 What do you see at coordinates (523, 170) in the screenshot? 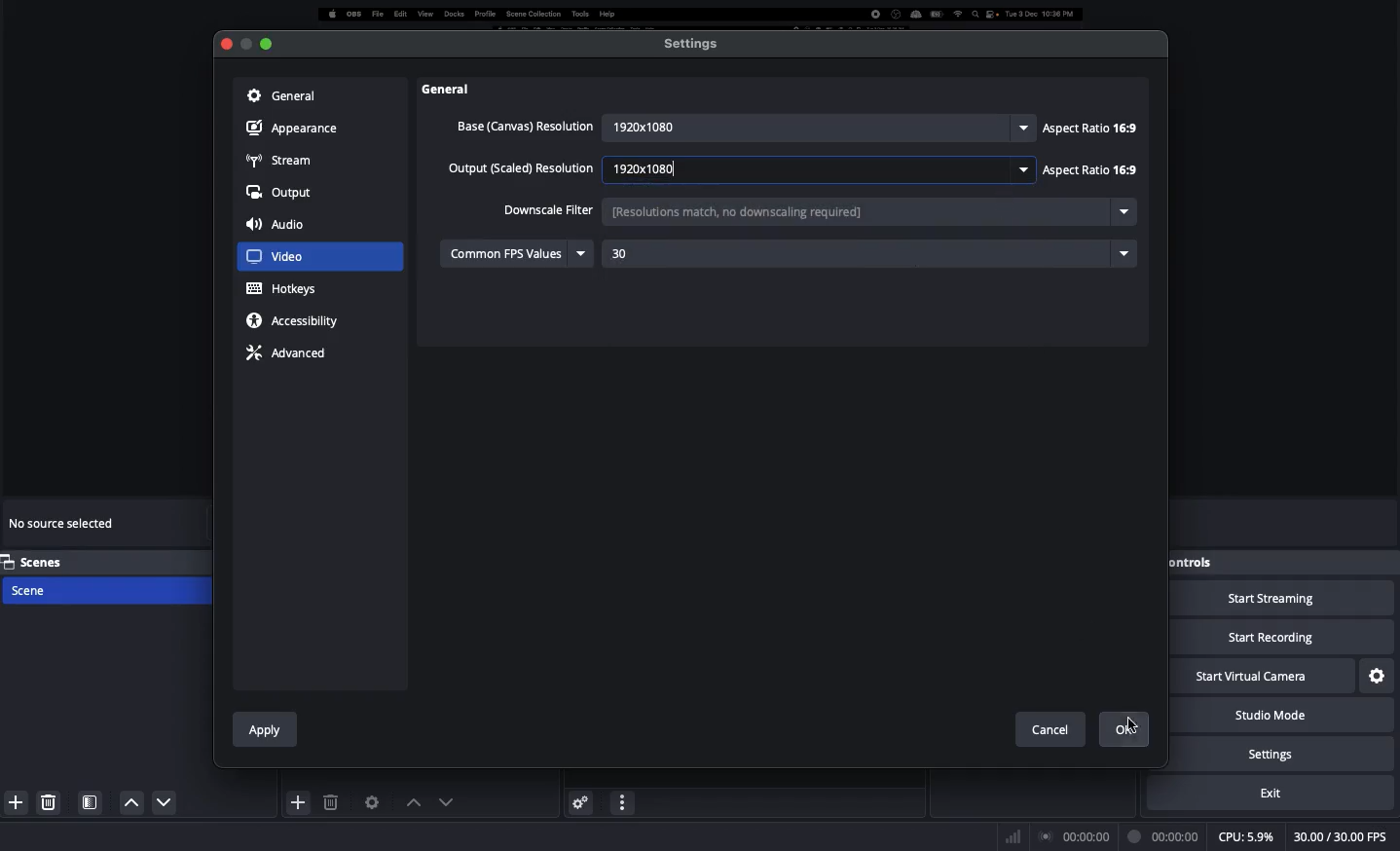
I see `Output resolution ` at bounding box center [523, 170].